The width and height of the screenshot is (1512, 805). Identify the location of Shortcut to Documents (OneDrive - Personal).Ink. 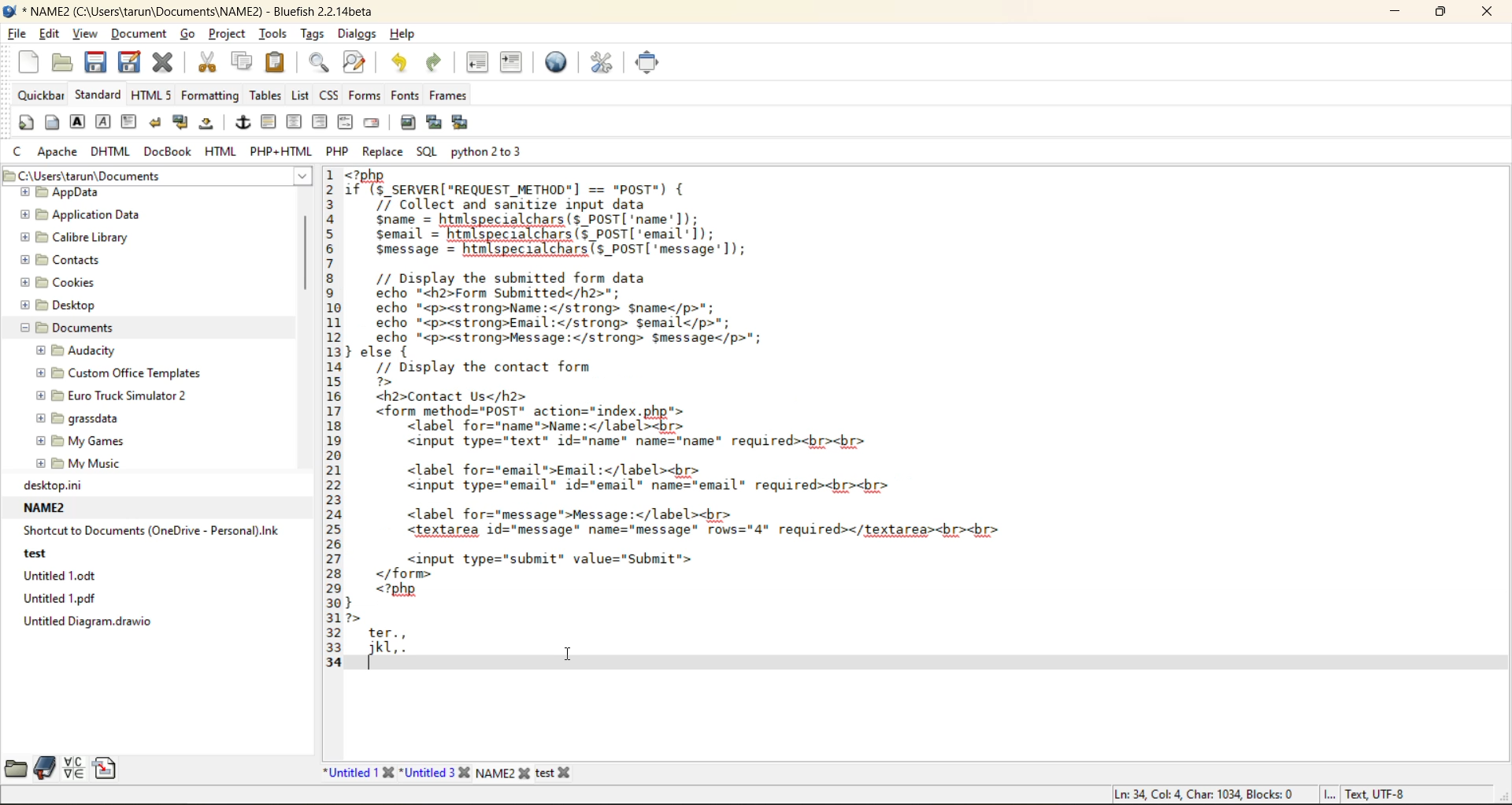
(150, 532).